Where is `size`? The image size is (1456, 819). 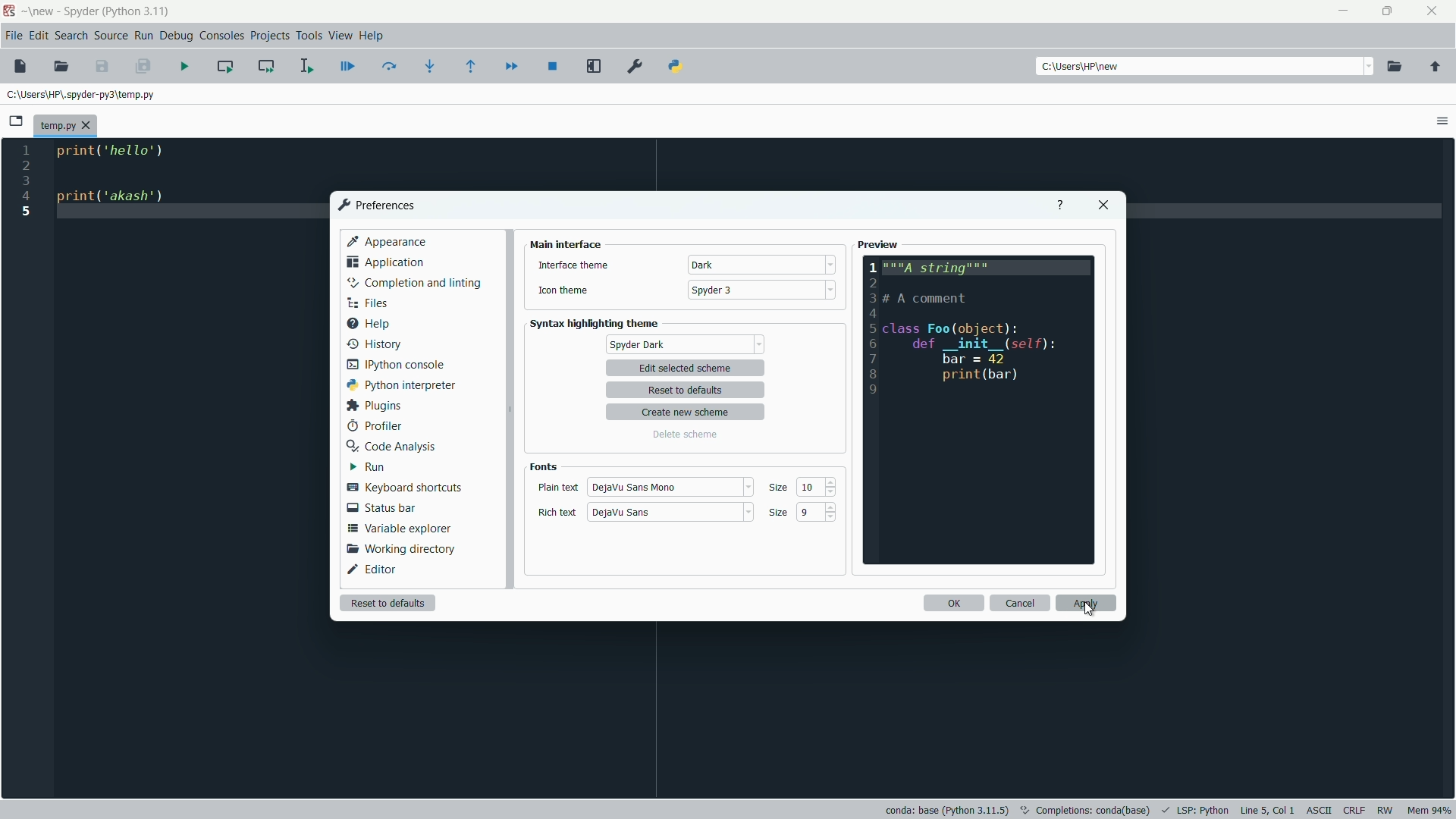 size is located at coordinates (777, 513).